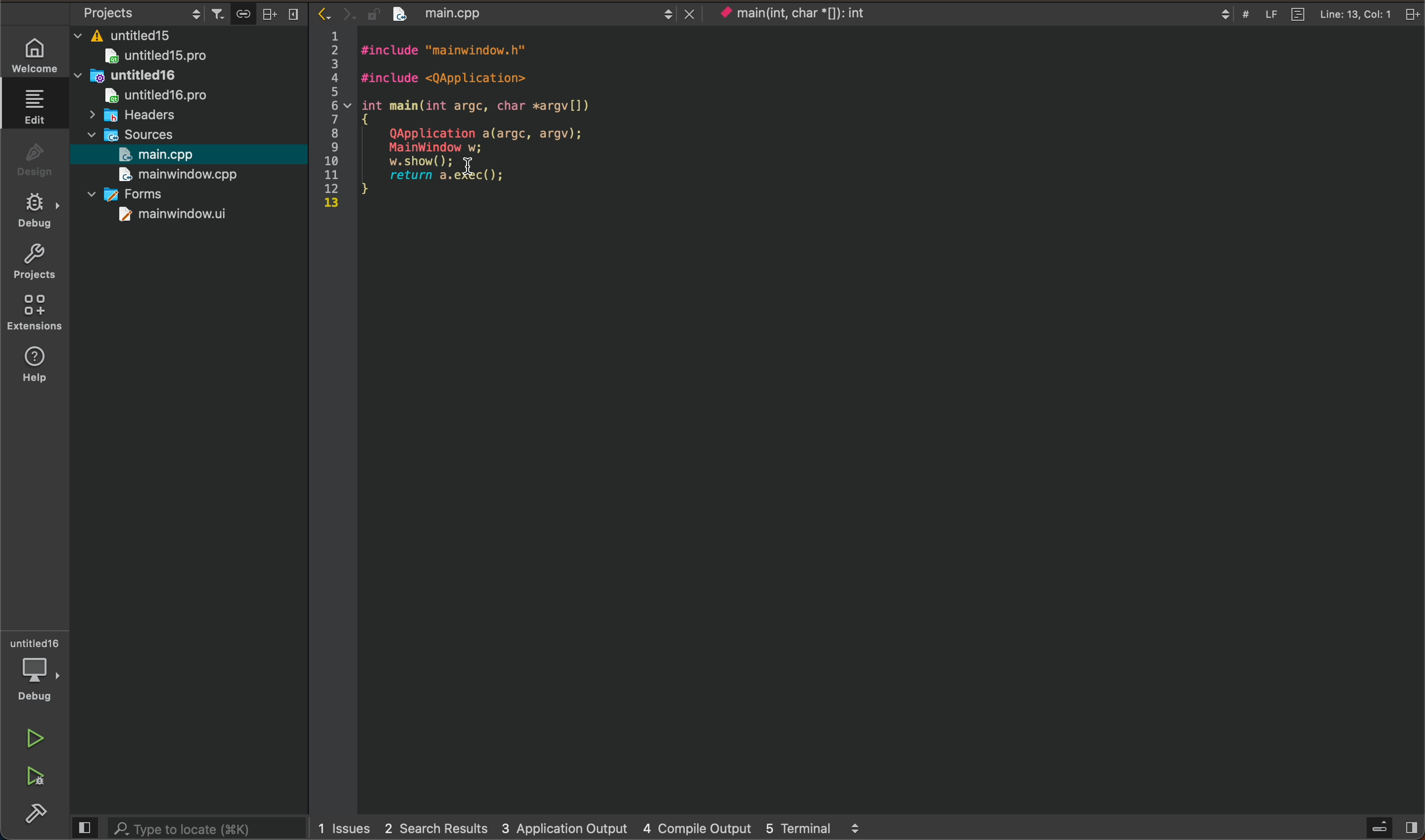 The height and width of the screenshot is (840, 1425). What do you see at coordinates (186, 155) in the screenshot?
I see `selected file` at bounding box center [186, 155].